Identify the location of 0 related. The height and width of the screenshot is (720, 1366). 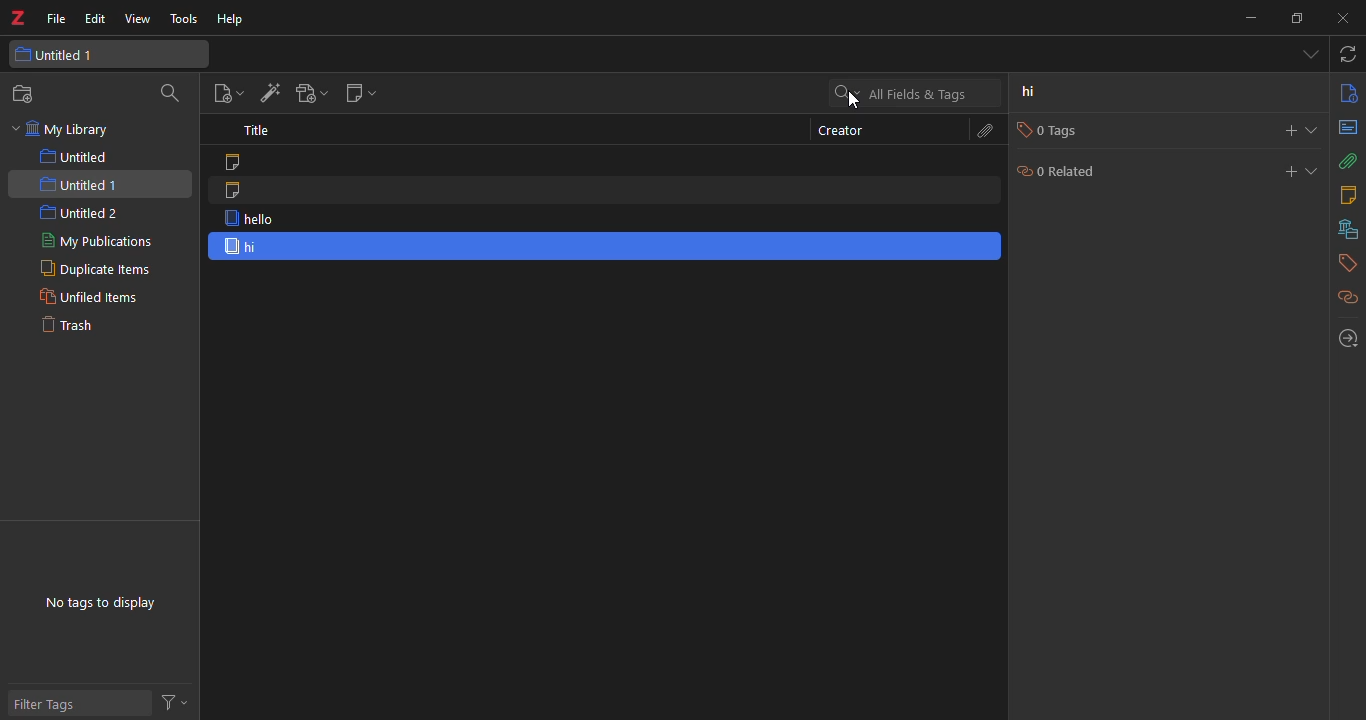
(1061, 170).